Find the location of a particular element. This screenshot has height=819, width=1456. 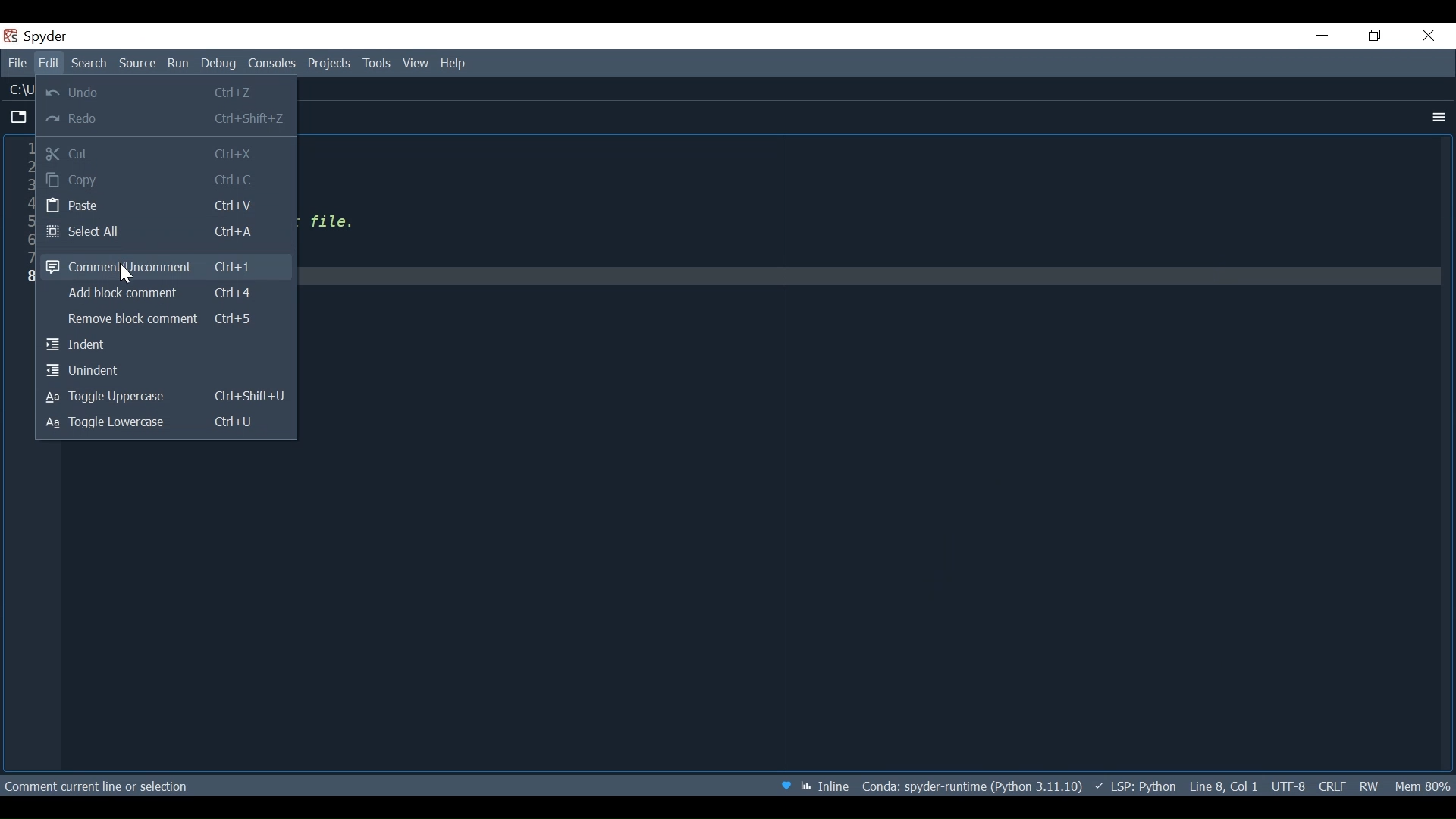

Comment line is located at coordinates (180, 788).